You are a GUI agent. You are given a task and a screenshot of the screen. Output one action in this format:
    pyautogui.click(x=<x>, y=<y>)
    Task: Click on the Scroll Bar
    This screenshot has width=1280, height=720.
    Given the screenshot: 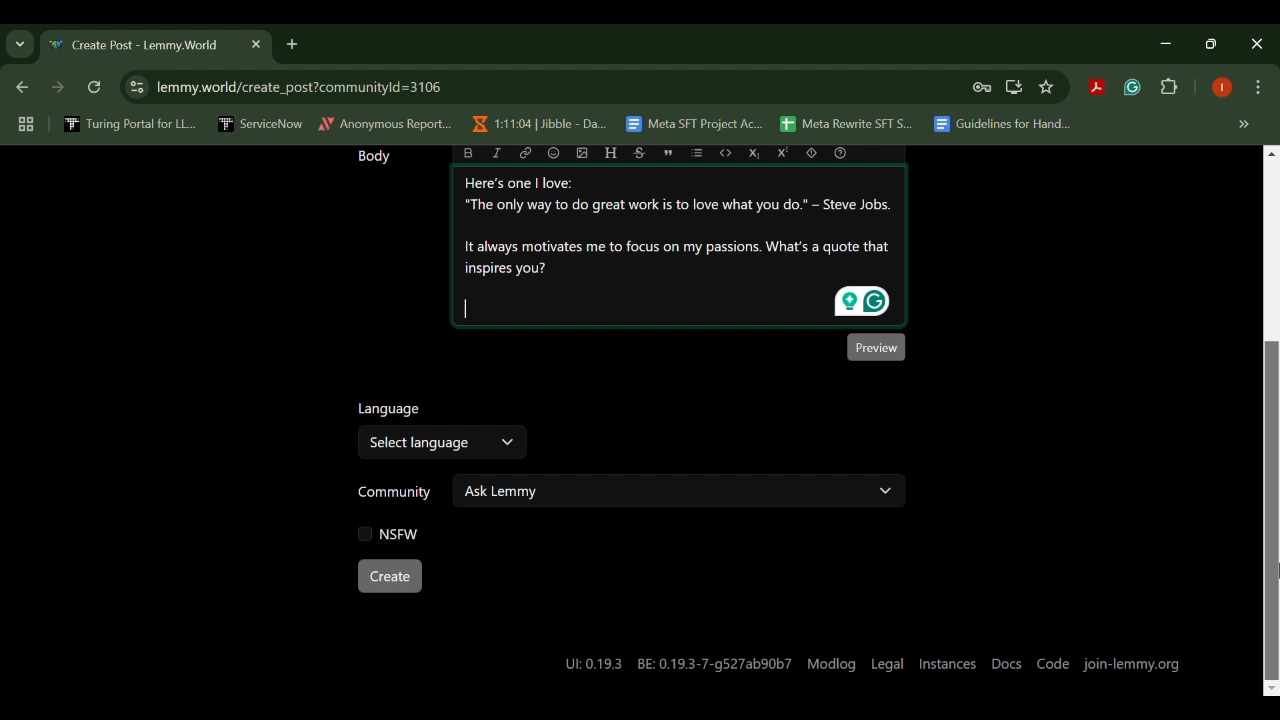 What is the action you would take?
    pyautogui.click(x=1270, y=422)
    